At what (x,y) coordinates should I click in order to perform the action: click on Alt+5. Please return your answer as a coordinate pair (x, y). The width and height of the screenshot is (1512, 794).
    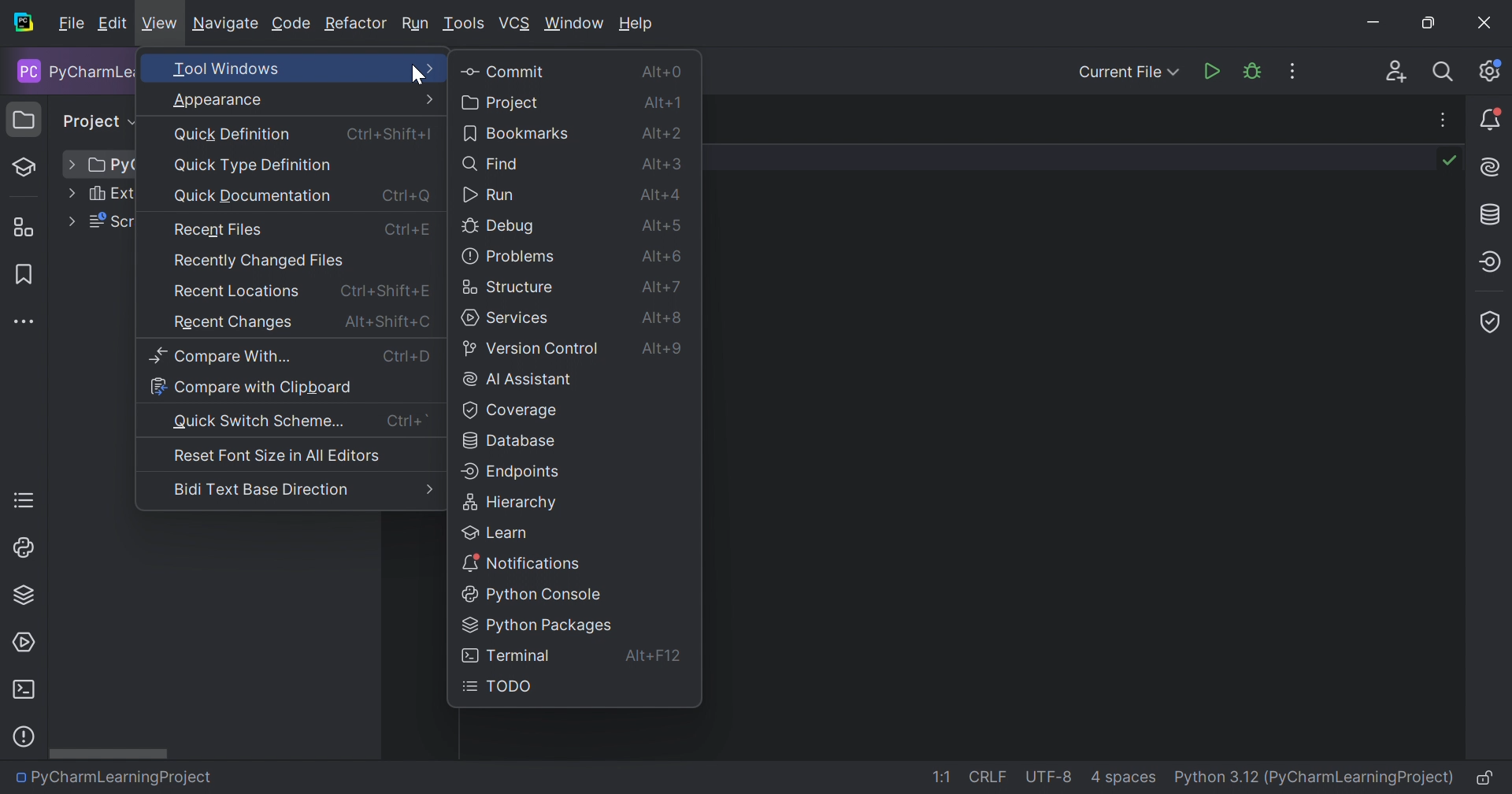
    Looking at the image, I should click on (661, 223).